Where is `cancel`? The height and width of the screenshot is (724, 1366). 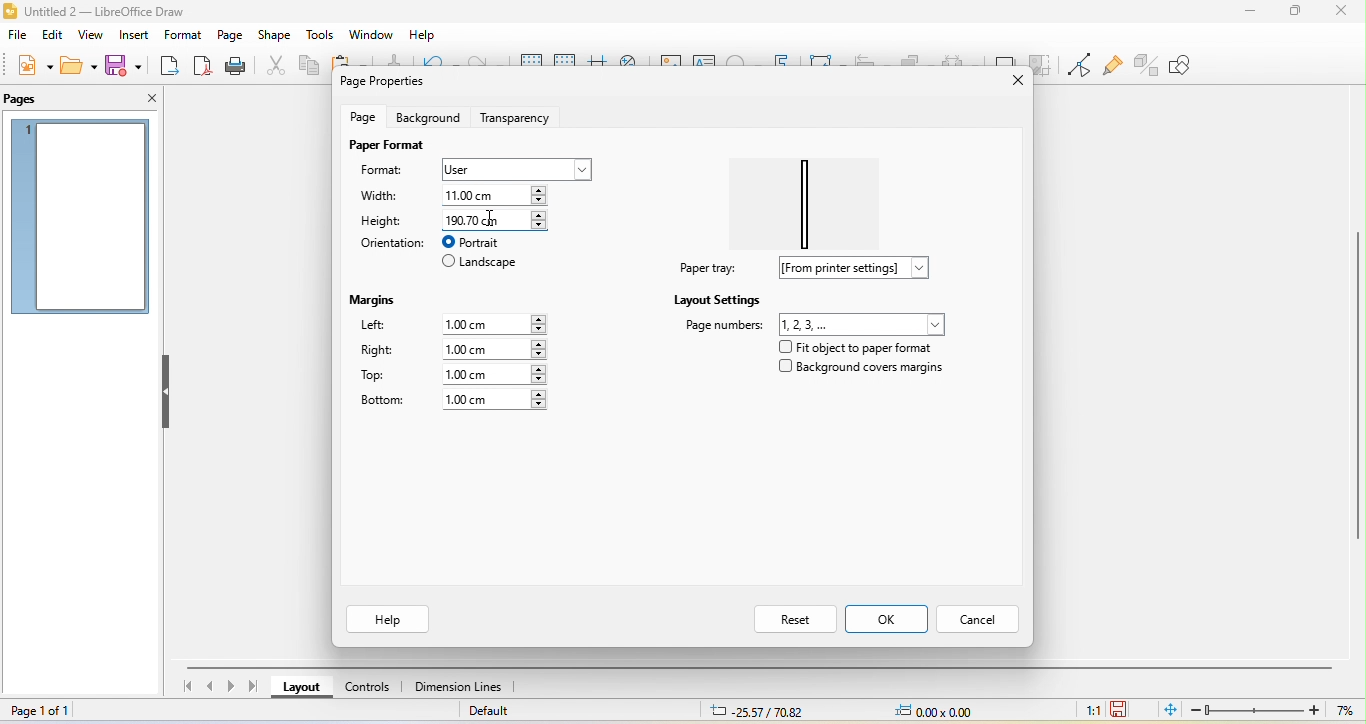
cancel is located at coordinates (981, 617).